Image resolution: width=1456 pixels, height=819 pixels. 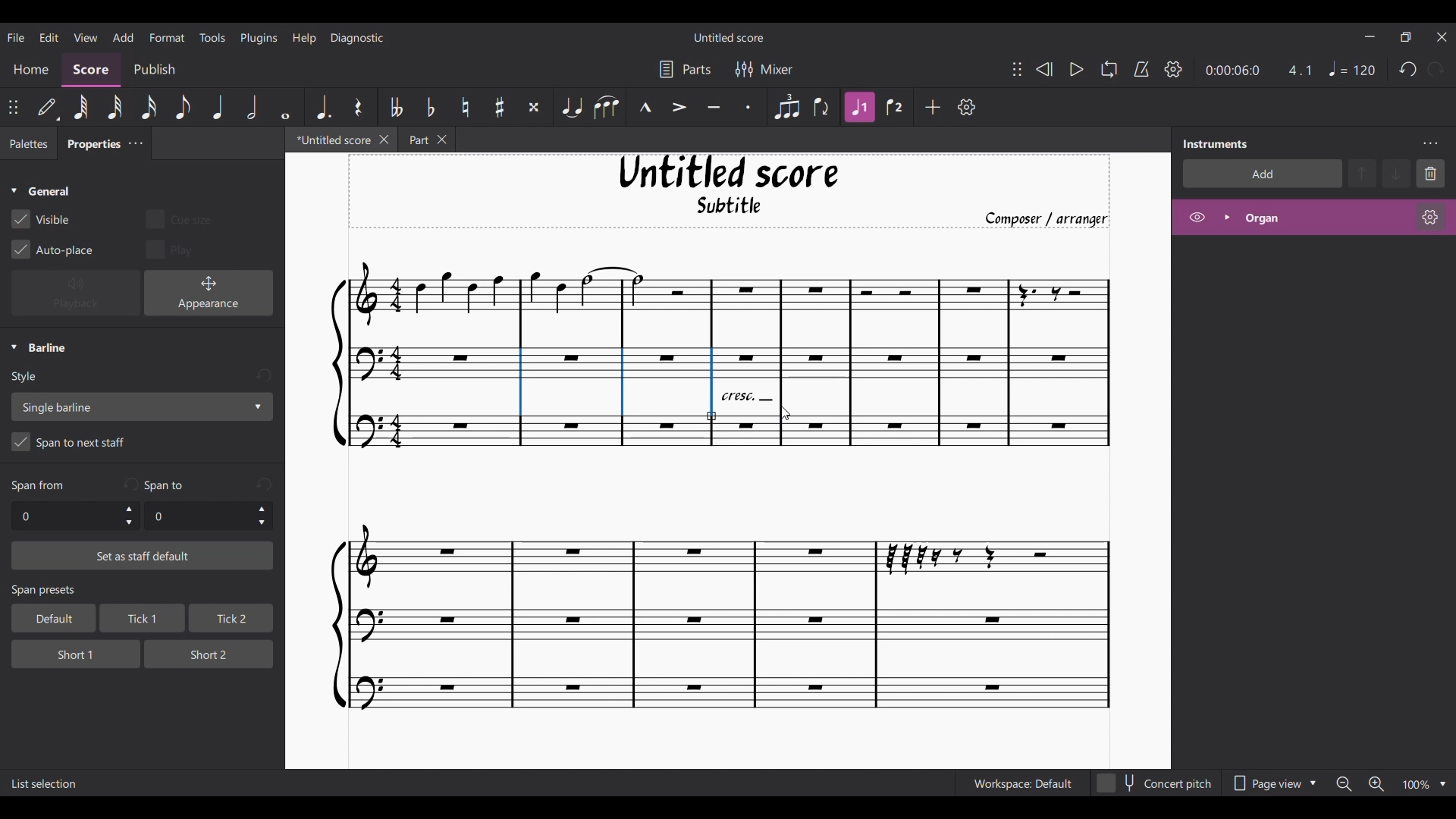 What do you see at coordinates (764, 69) in the screenshot?
I see `Mixer settings` at bounding box center [764, 69].